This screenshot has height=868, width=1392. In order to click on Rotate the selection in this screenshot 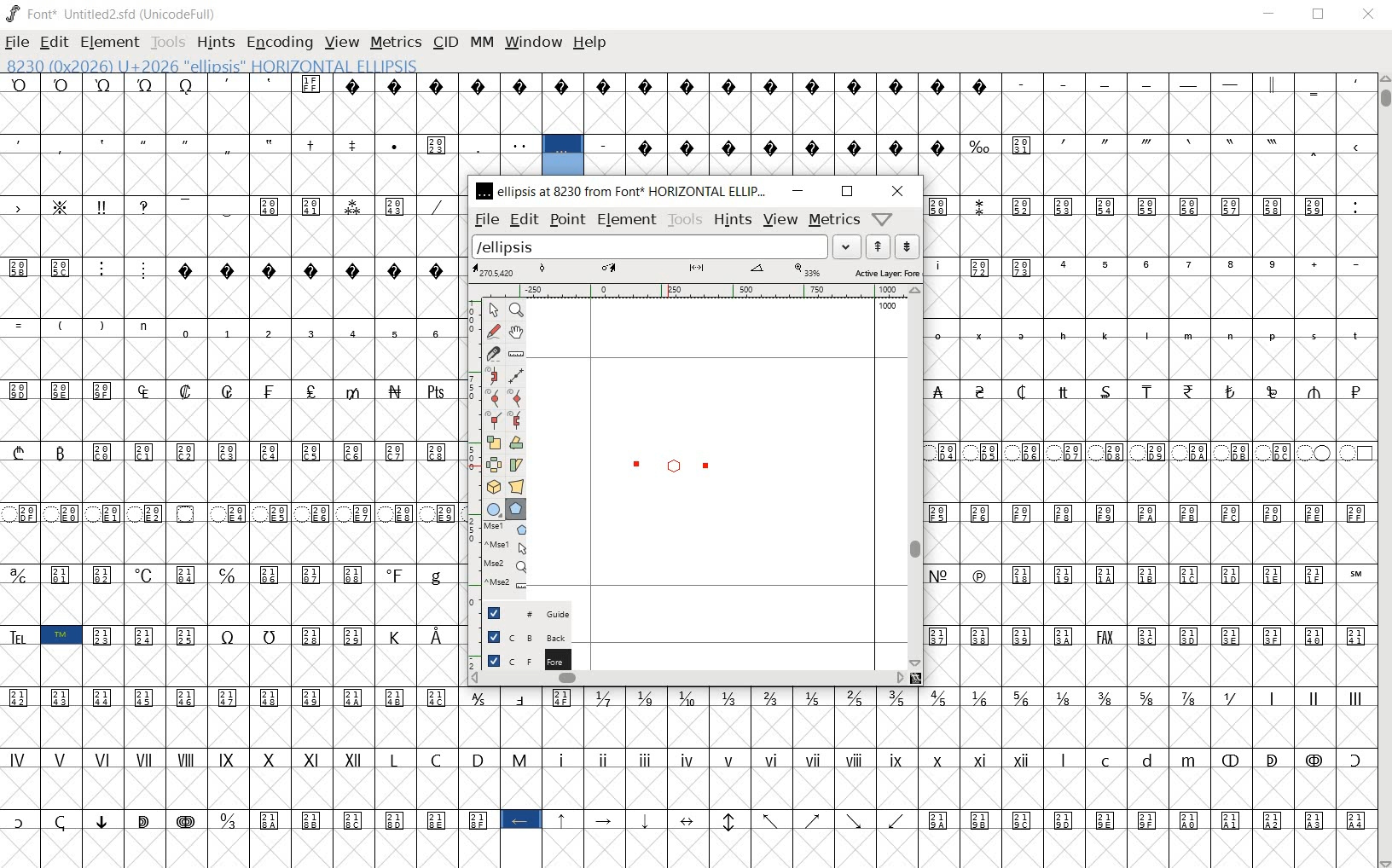, I will do `click(516, 443)`.